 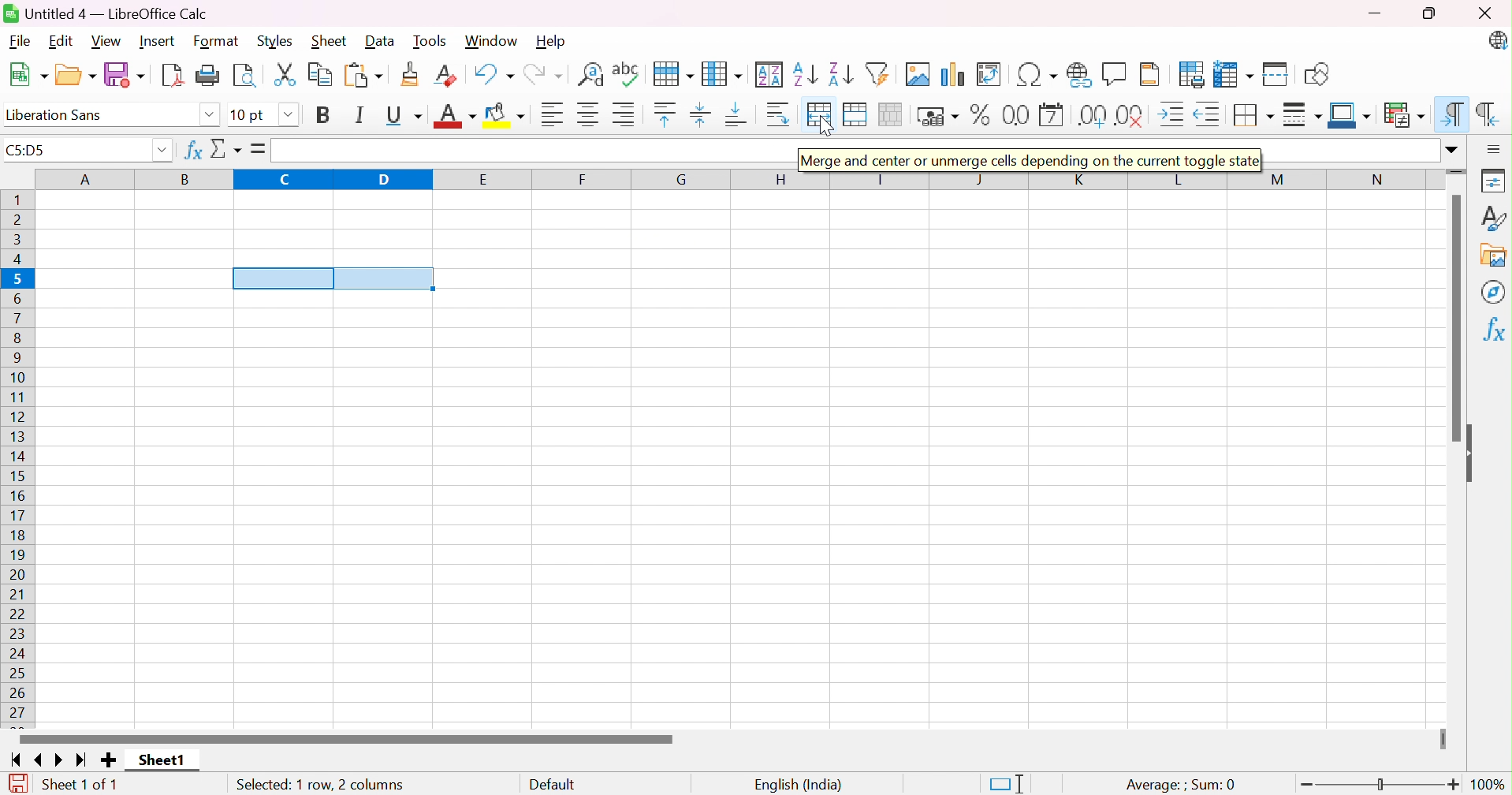 I want to click on Align Center, so click(x=587, y=114).